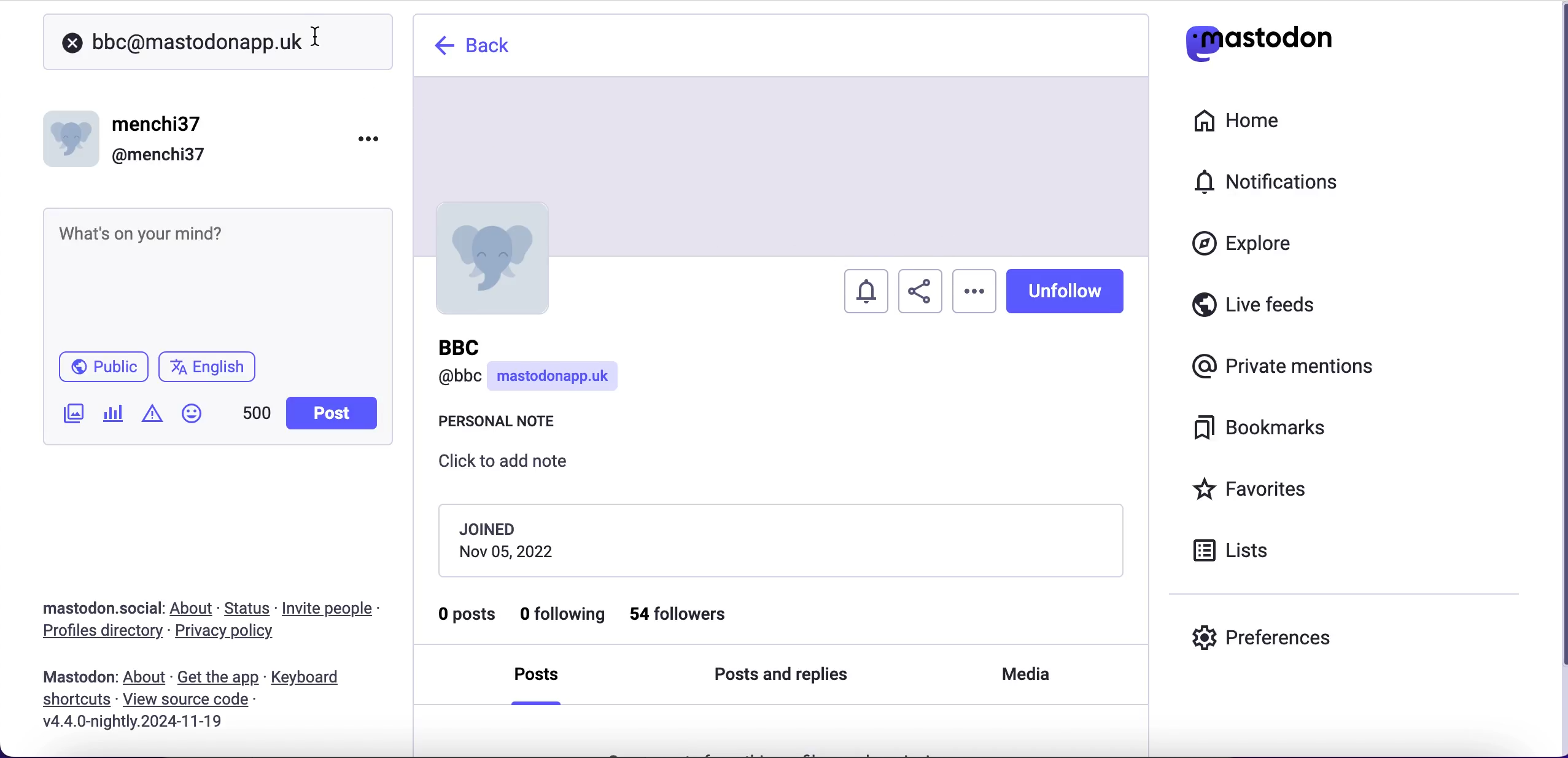  Describe the element at coordinates (235, 633) in the screenshot. I see `privacy policy` at that location.